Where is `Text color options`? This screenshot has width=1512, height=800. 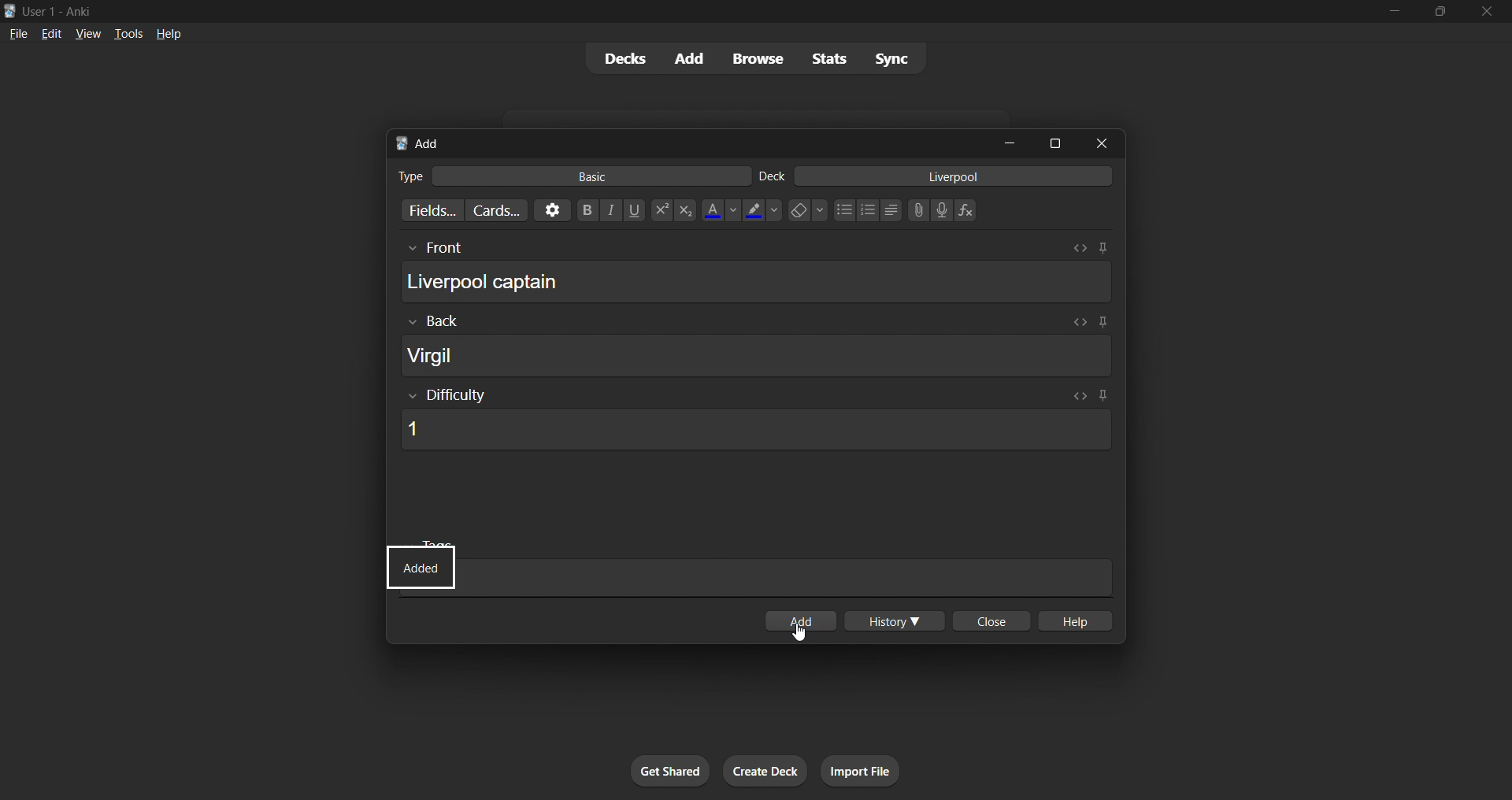 Text color options is located at coordinates (720, 210).